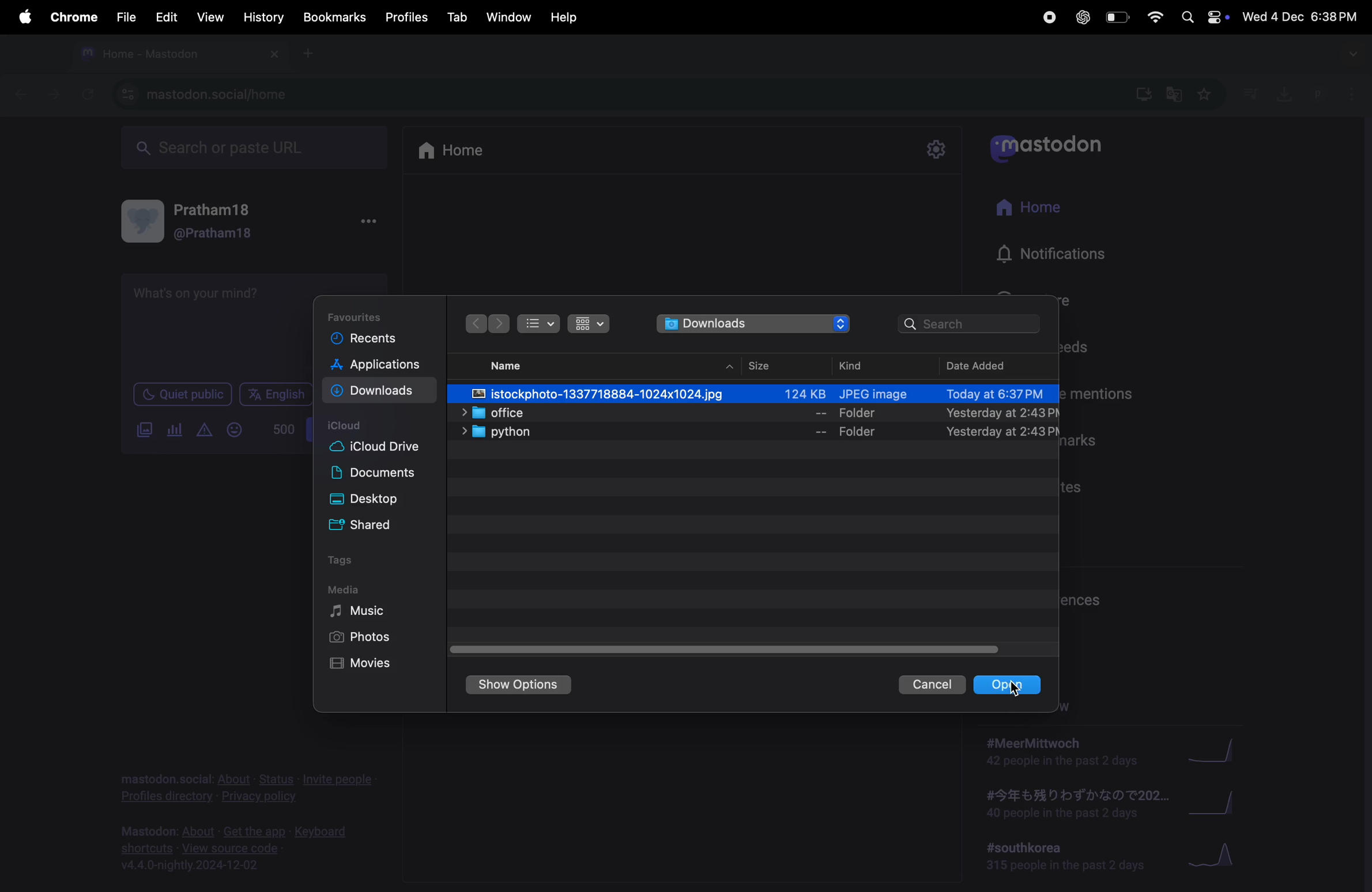 The image size is (1372, 892). Describe the element at coordinates (1081, 17) in the screenshot. I see `chatgpt` at that location.